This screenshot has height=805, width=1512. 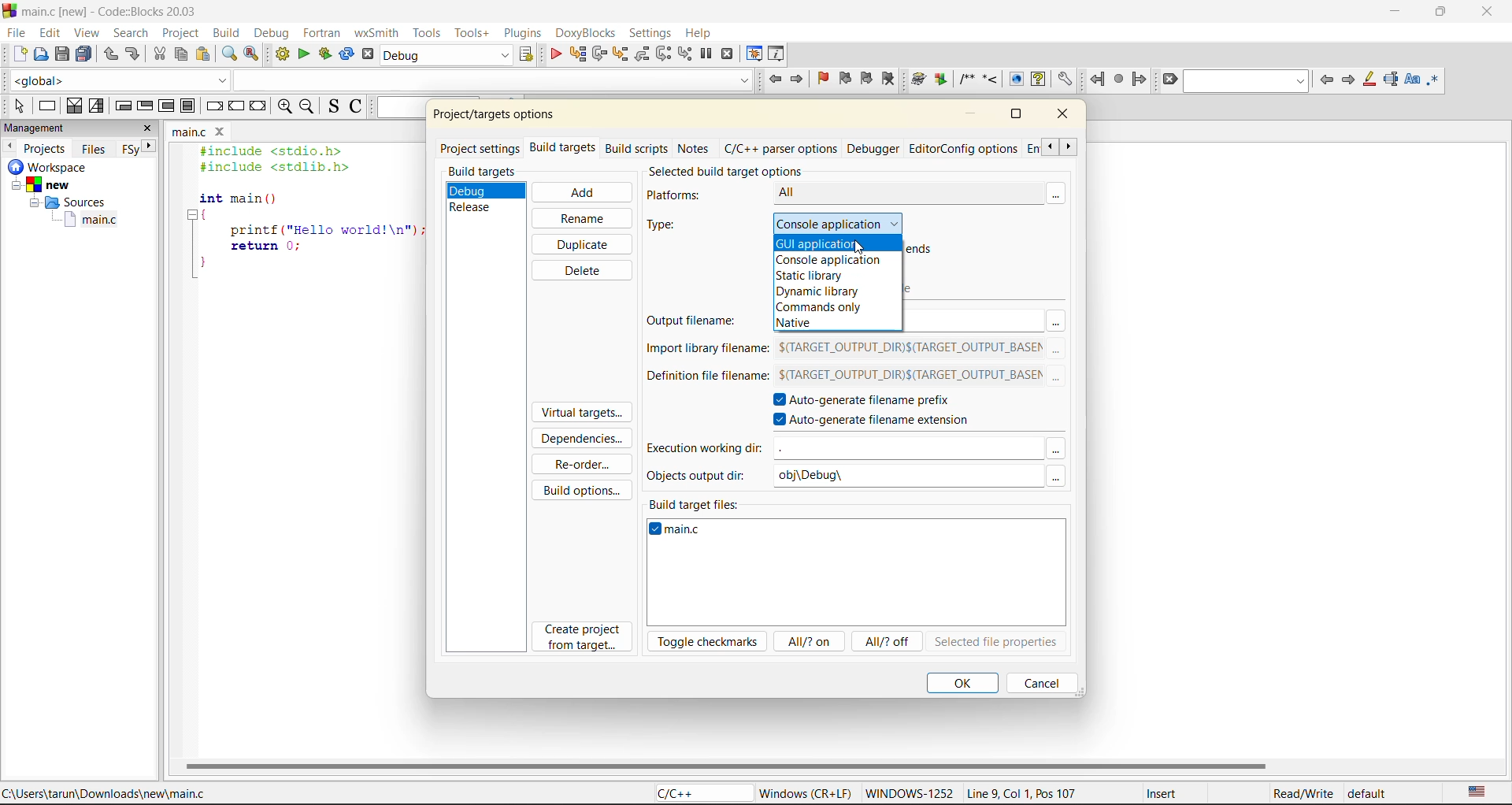 I want to click on show select target dialog, so click(x=525, y=53).